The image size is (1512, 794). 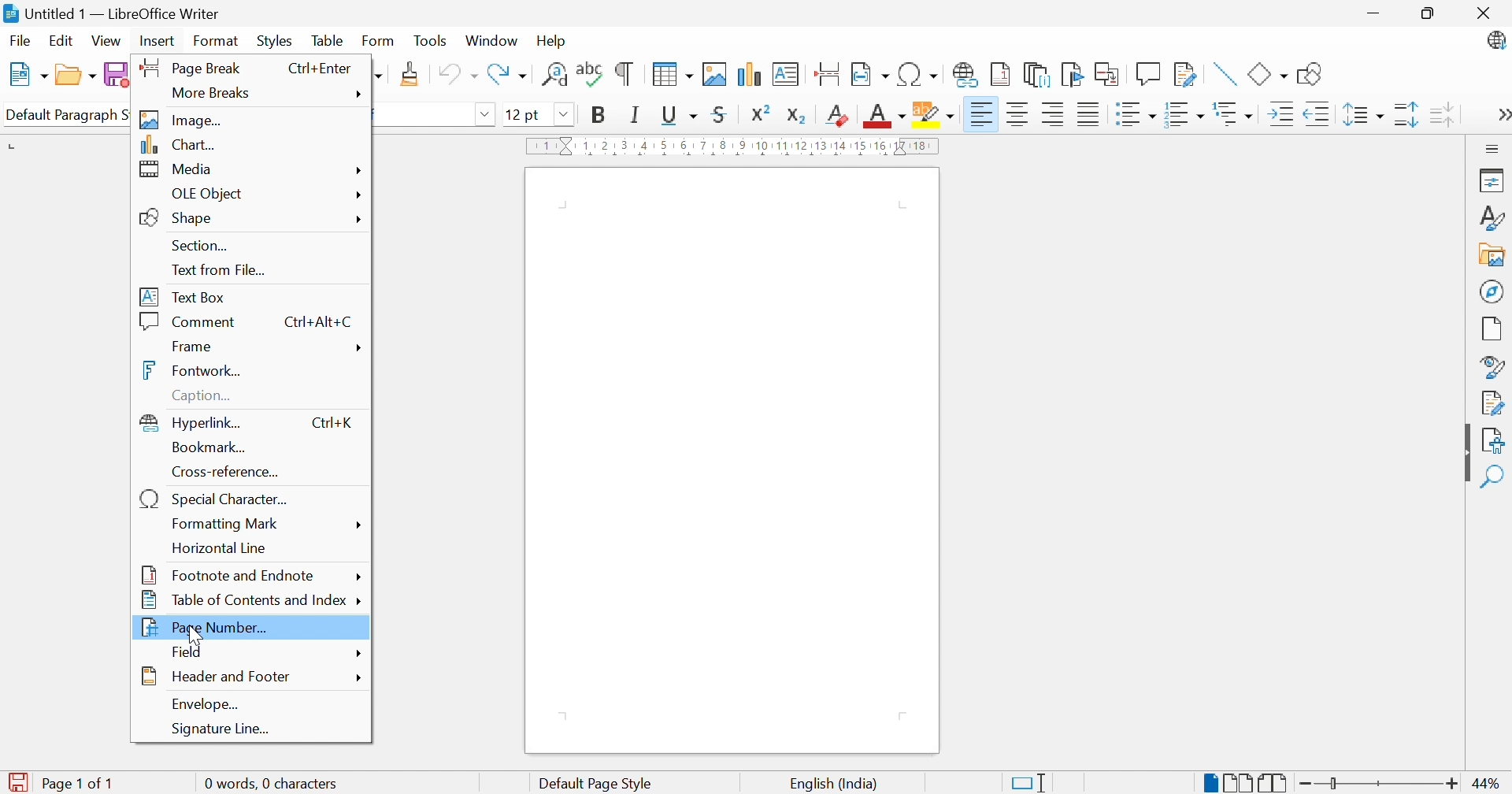 What do you see at coordinates (964, 75) in the screenshot?
I see `Insert hyperlink` at bounding box center [964, 75].